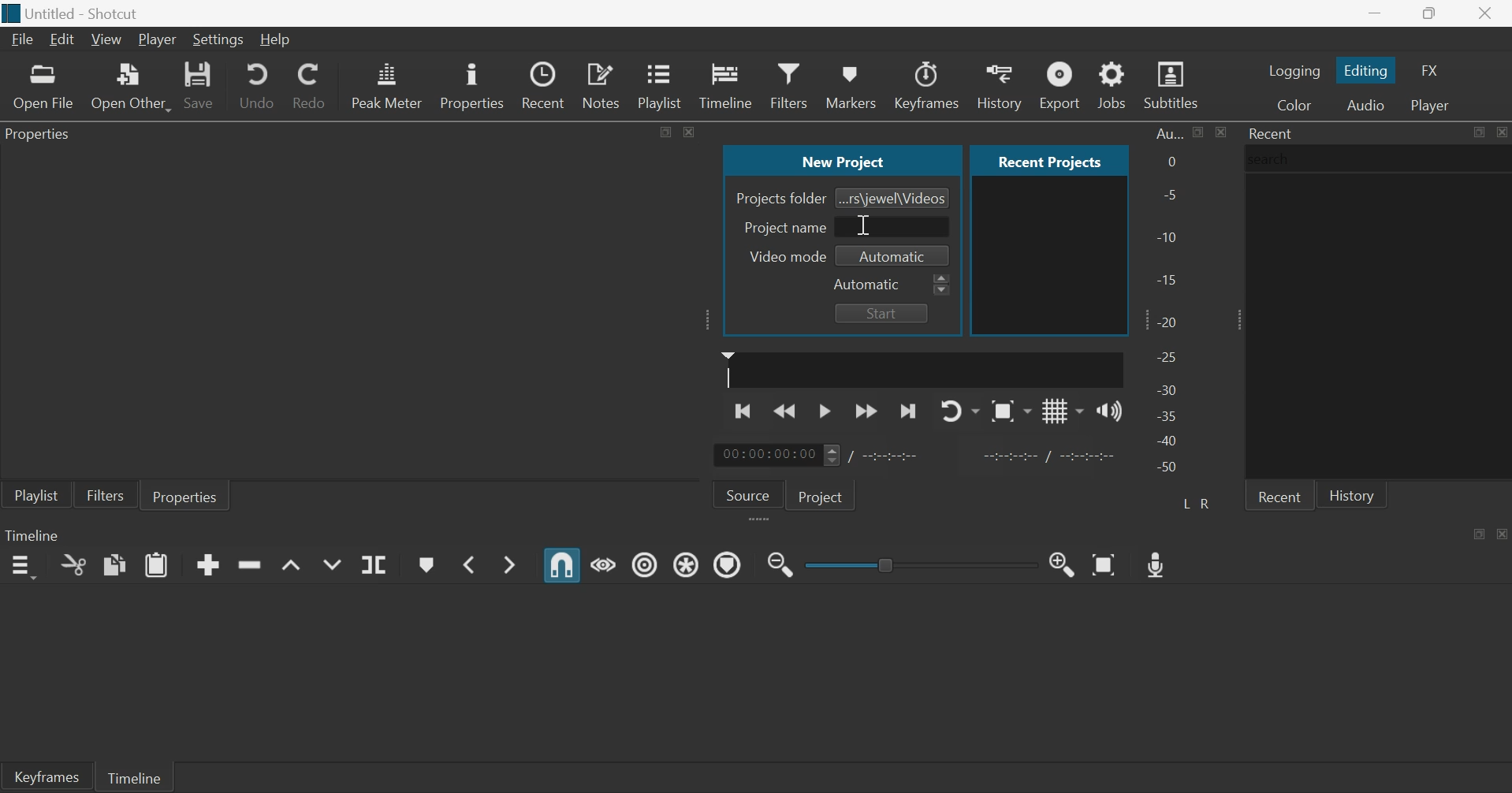 The height and width of the screenshot is (793, 1512). I want to click on Timeline, so click(133, 776).